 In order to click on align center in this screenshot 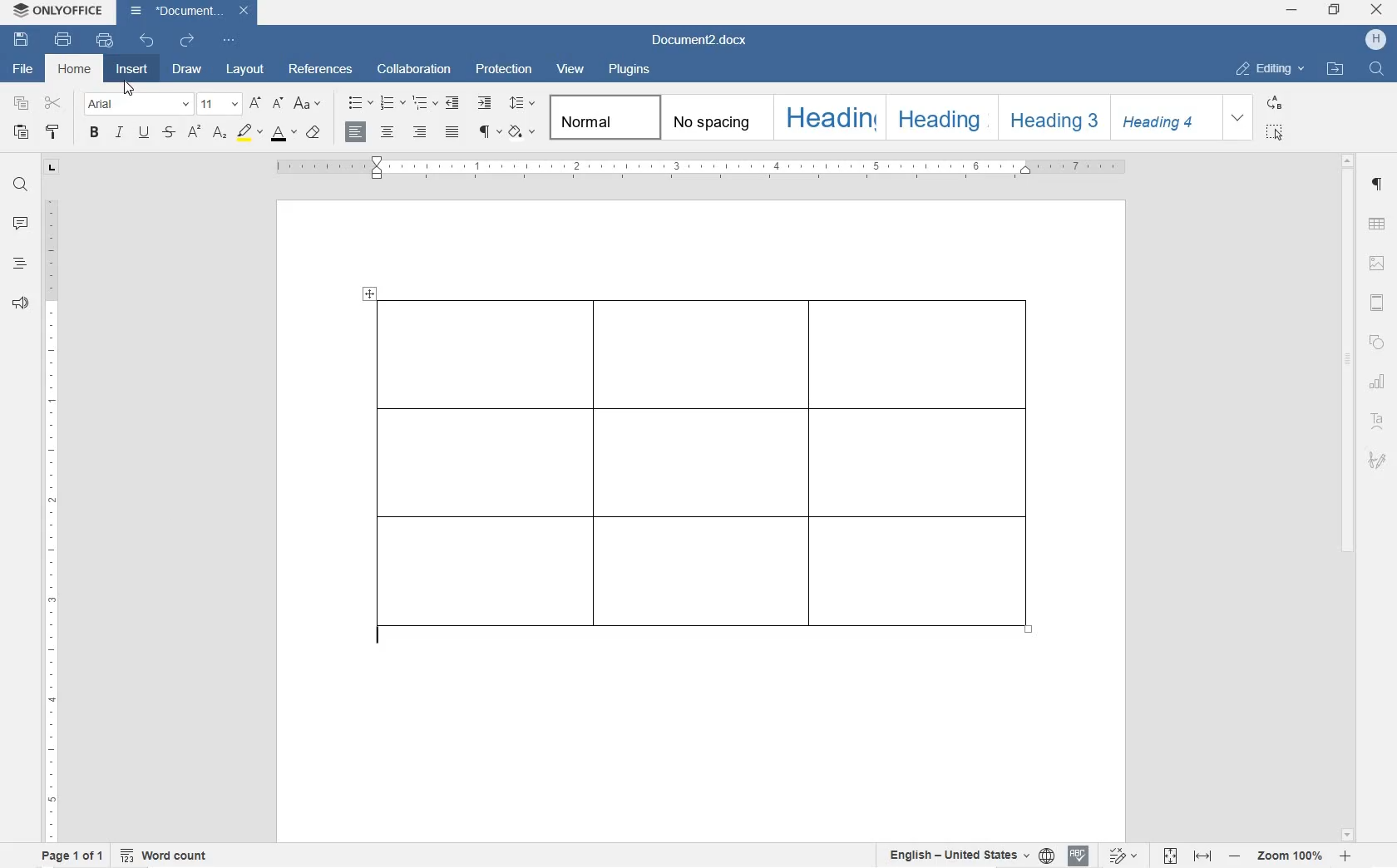, I will do `click(388, 133)`.